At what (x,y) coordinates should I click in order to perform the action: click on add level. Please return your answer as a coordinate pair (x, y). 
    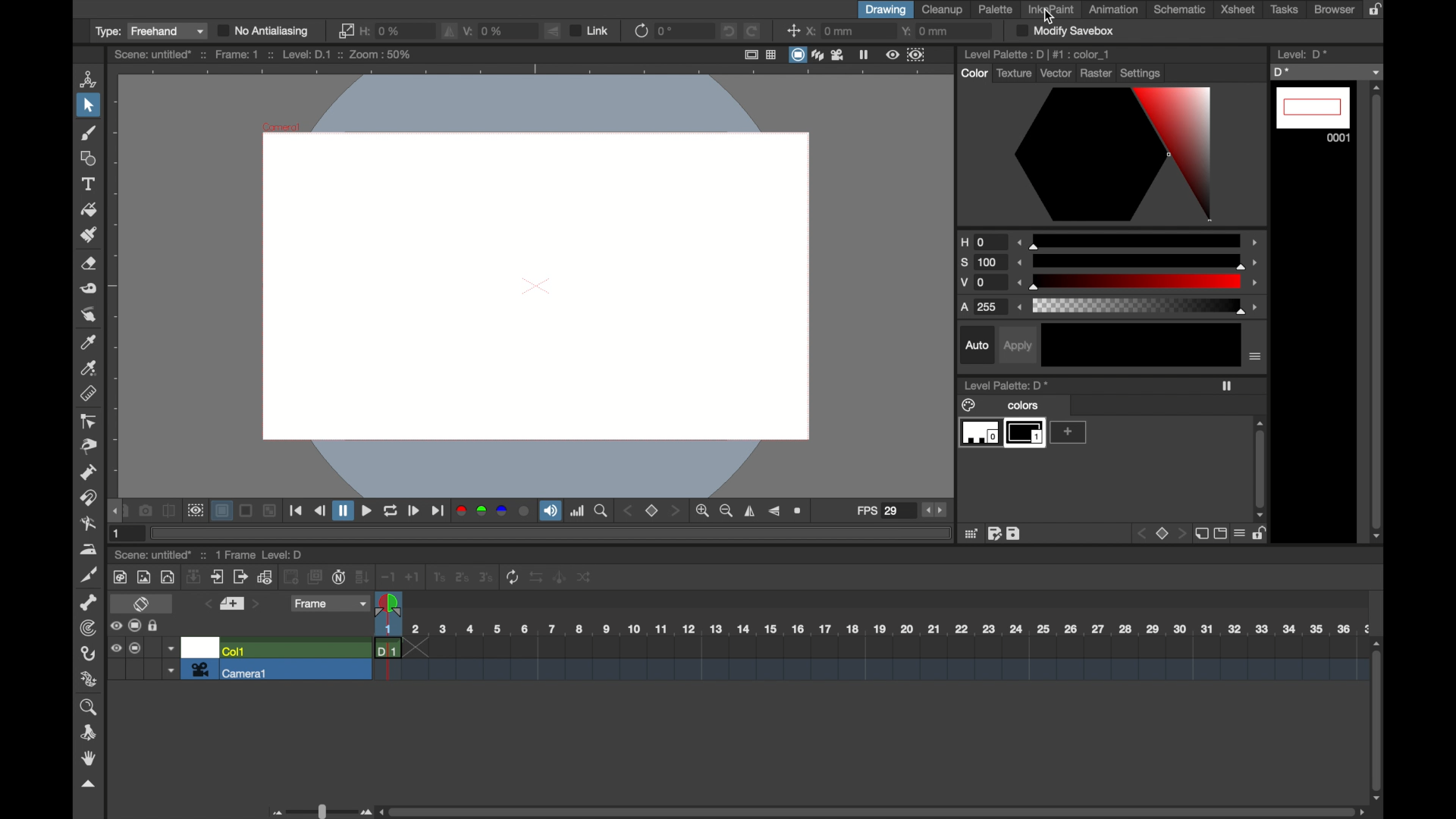
    Looking at the image, I should click on (1068, 433).